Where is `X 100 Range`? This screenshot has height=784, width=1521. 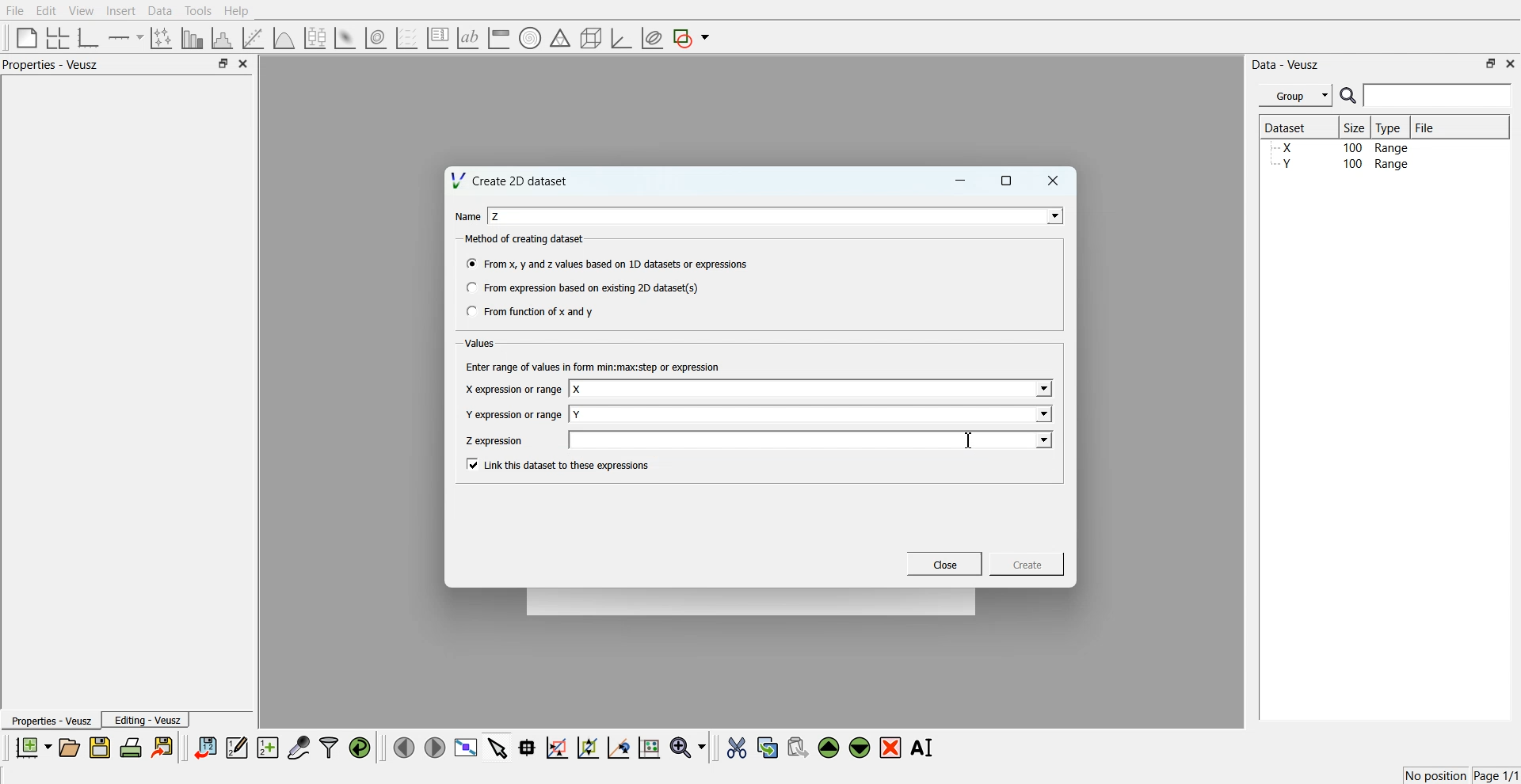 X 100 Range is located at coordinates (1341, 147).